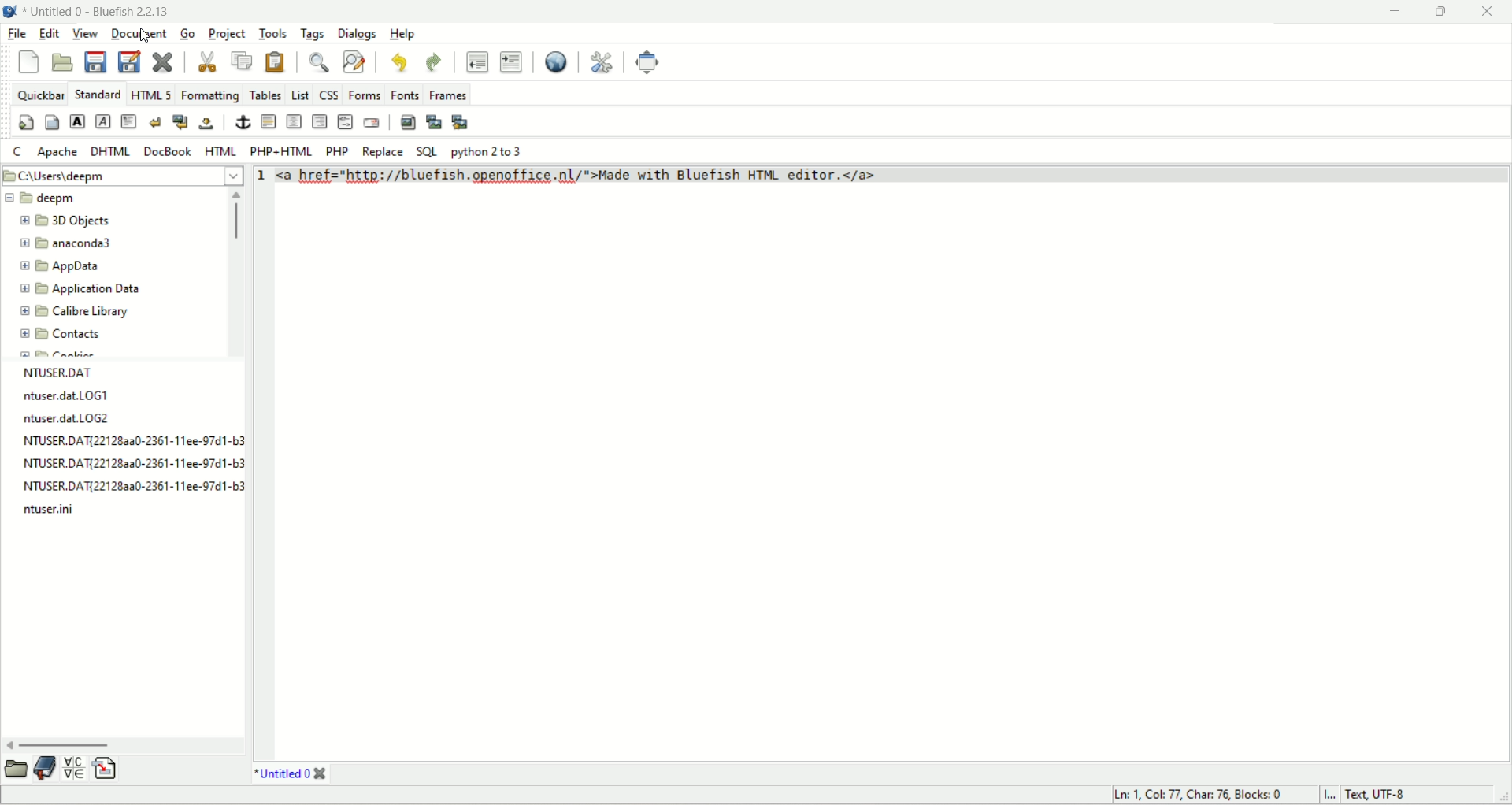 The height and width of the screenshot is (805, 1512). Describe the element at coordinates (243, 62) in the screenshot. I see `copy` at that location.